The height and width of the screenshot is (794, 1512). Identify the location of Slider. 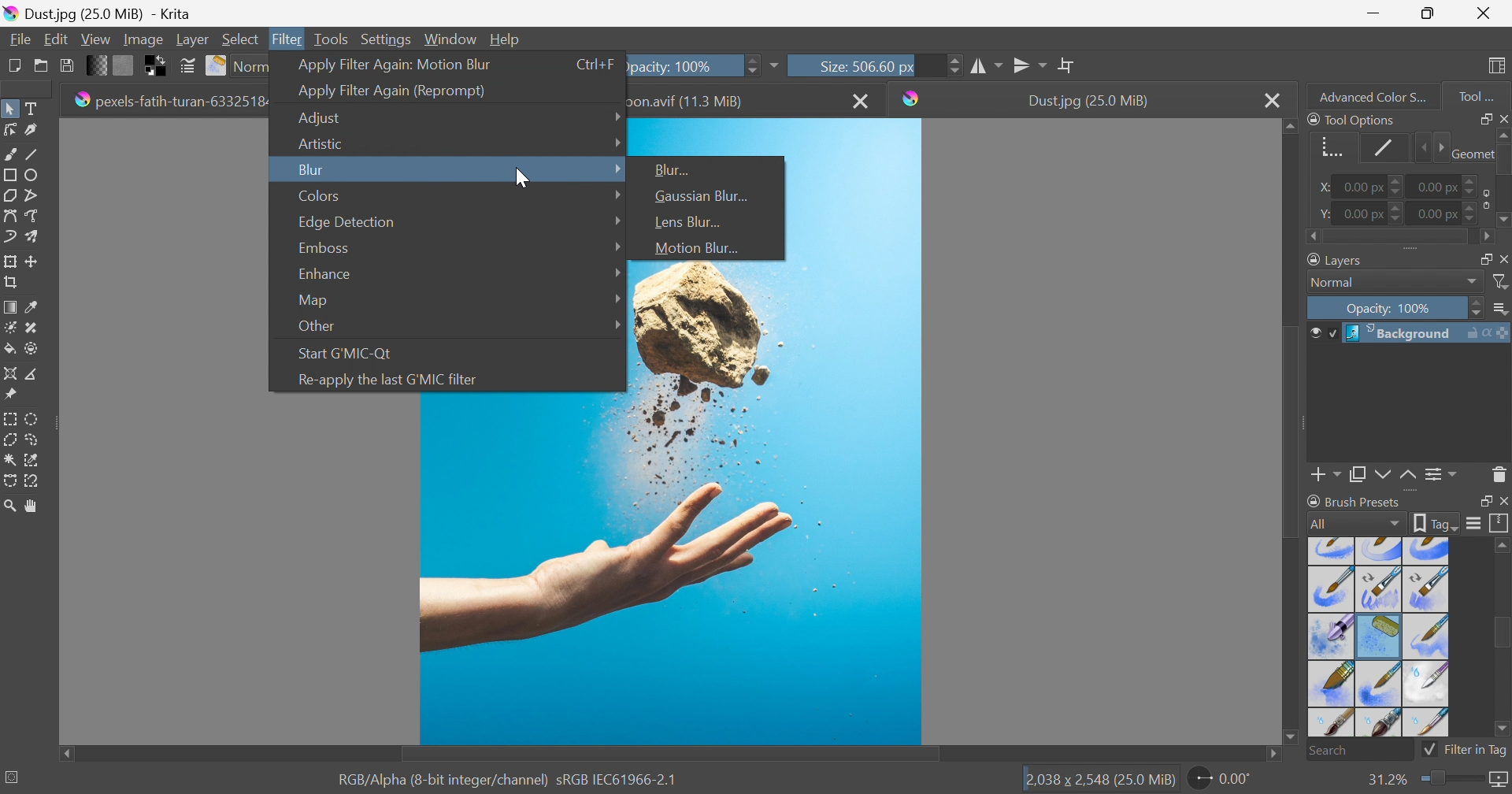
(1477, 309).